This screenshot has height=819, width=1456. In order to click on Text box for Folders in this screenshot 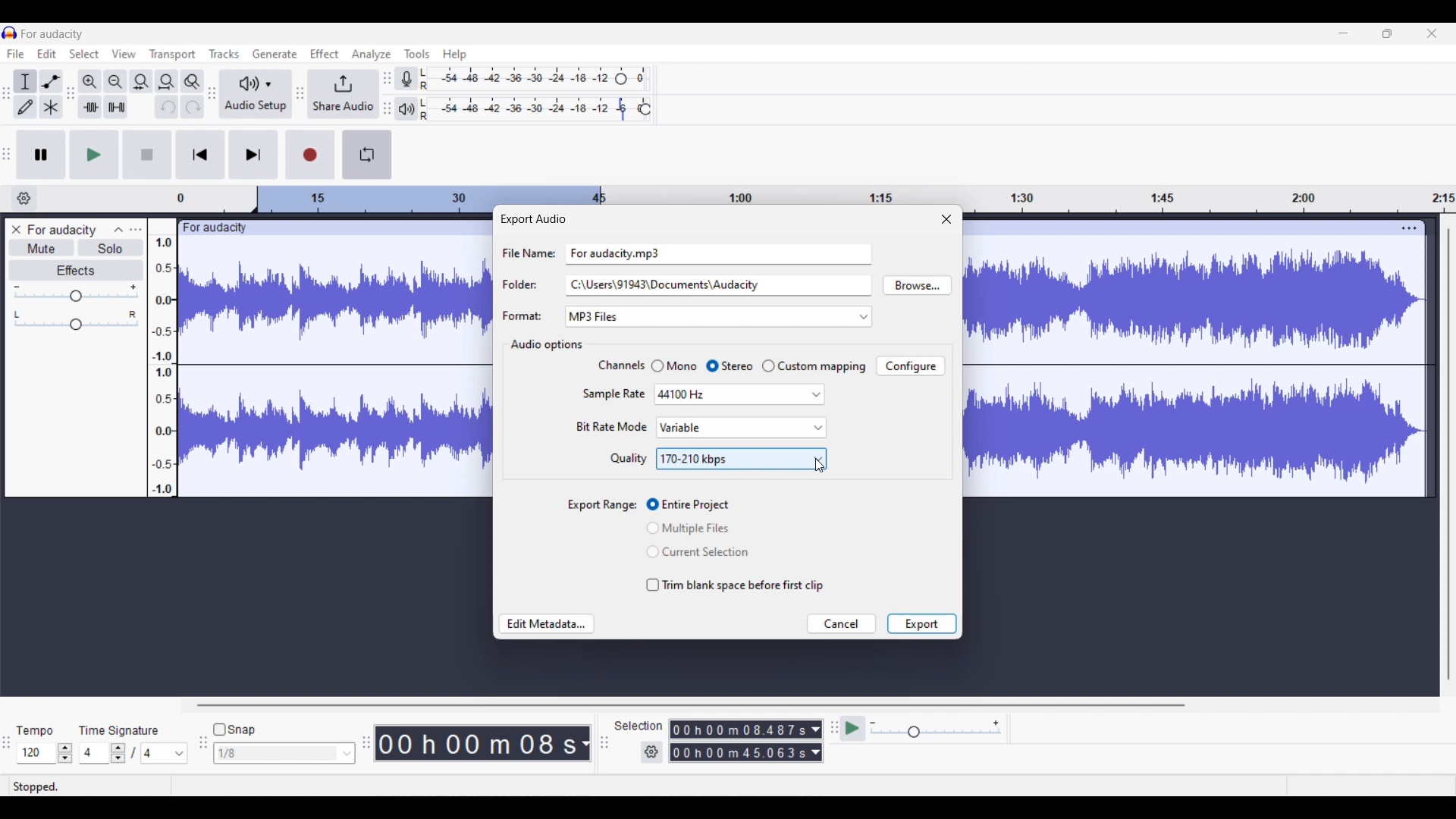, I will do `click(717, 284)`.